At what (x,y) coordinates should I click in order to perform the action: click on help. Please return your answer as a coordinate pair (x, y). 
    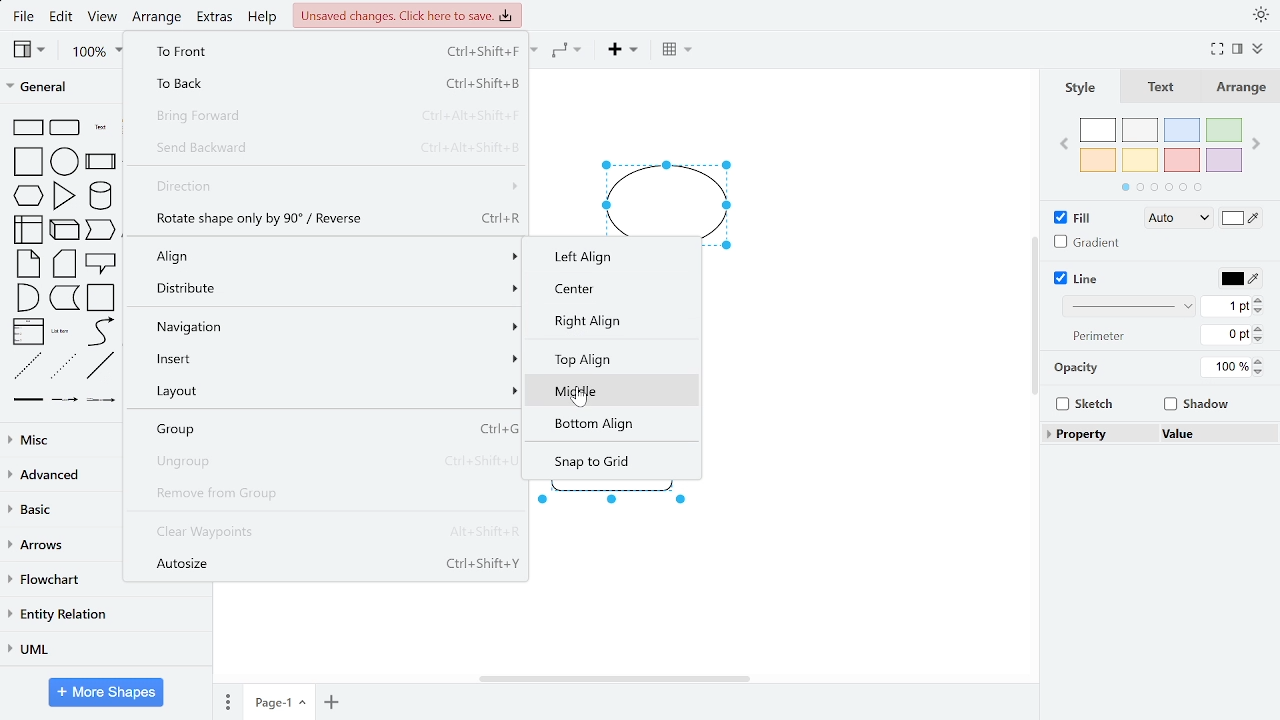
    Looking at the image, I should click on (264, 19).